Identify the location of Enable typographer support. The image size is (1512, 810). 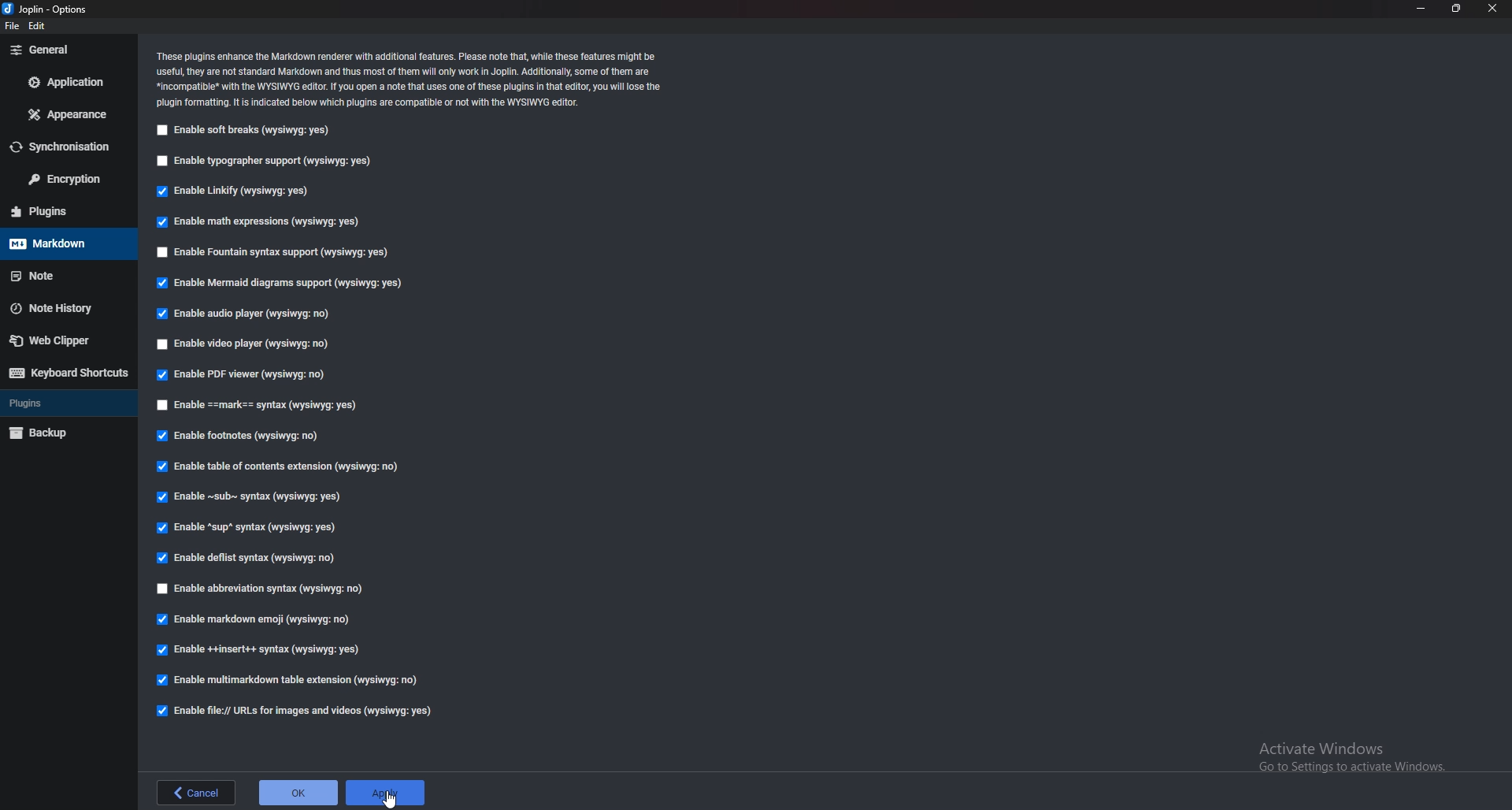
(267, 162).